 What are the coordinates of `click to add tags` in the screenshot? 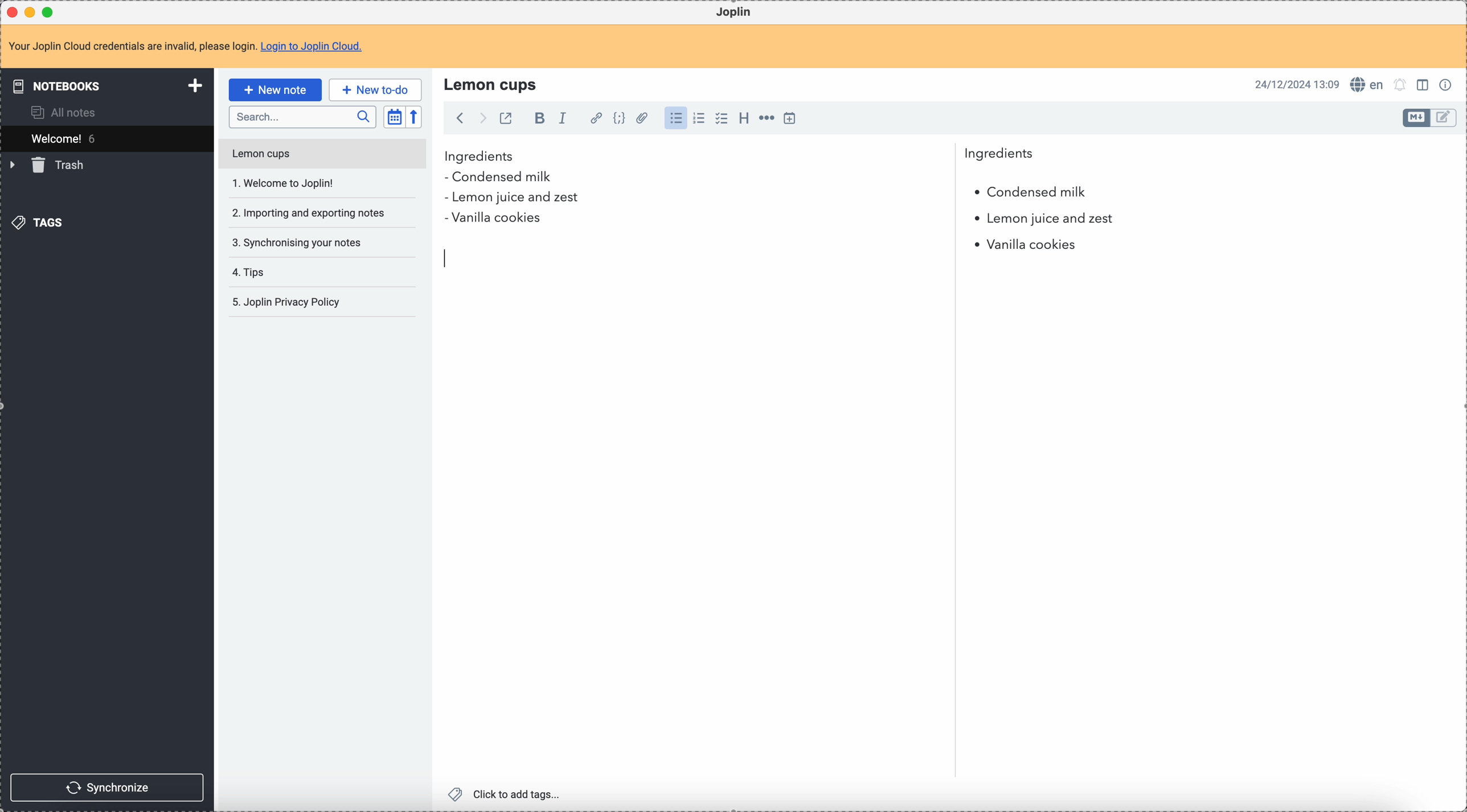 It's located at (507, 793).